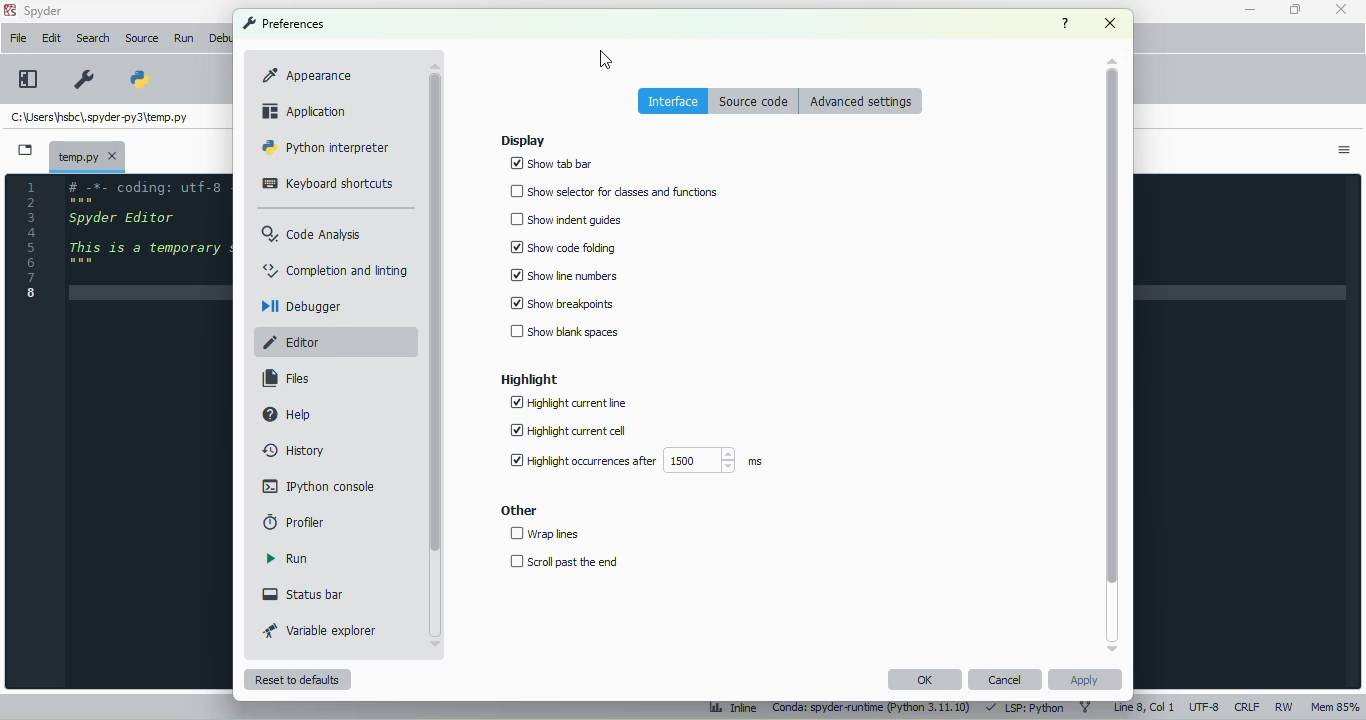 The width and height of the screenshot is (1366, 720). Describe the element at coordinates (312, 233) in the screenshot. I see `code analysis` at that location.